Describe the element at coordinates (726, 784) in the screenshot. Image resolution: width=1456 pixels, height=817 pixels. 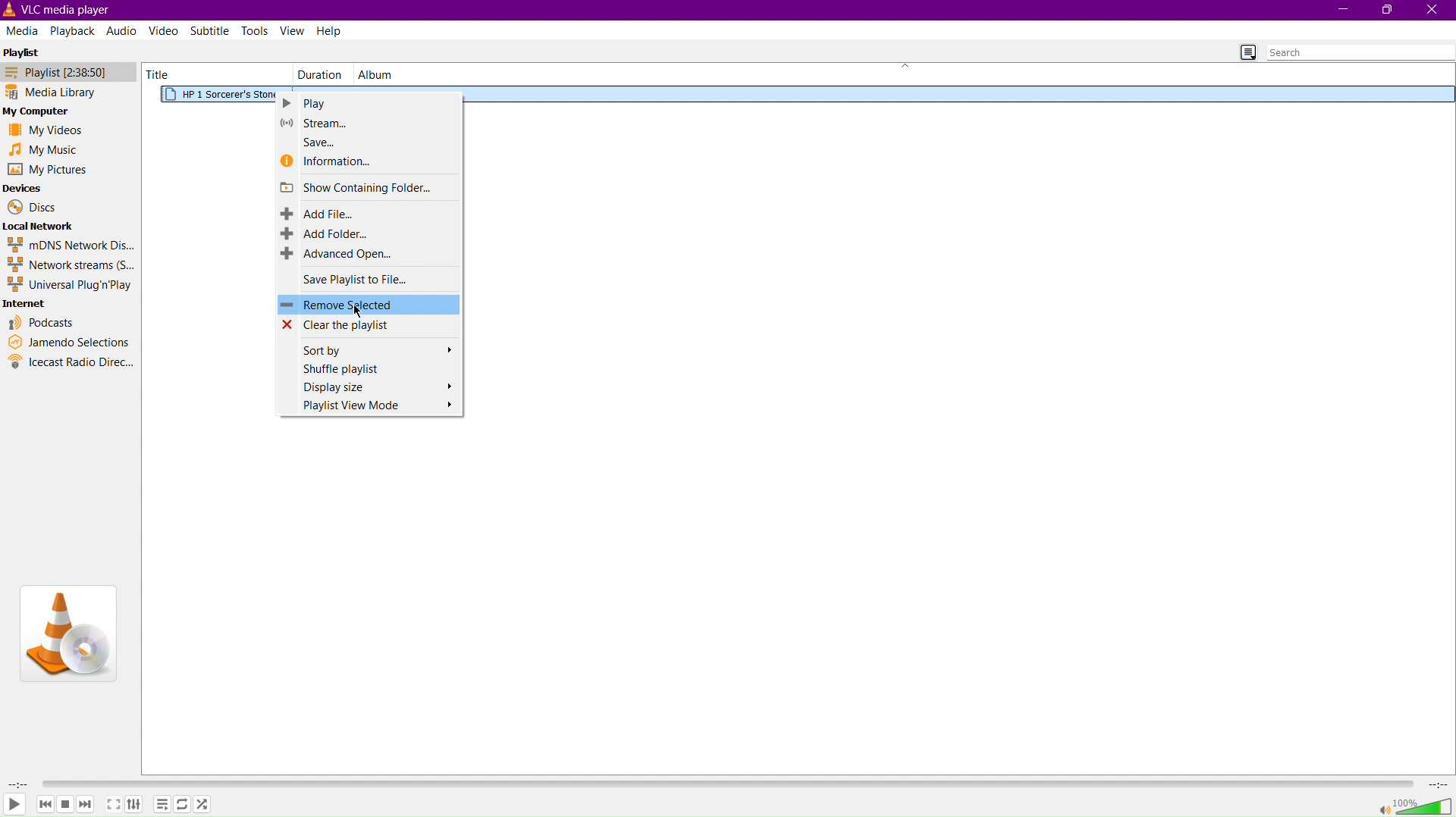
I see `Timeline` at that location.